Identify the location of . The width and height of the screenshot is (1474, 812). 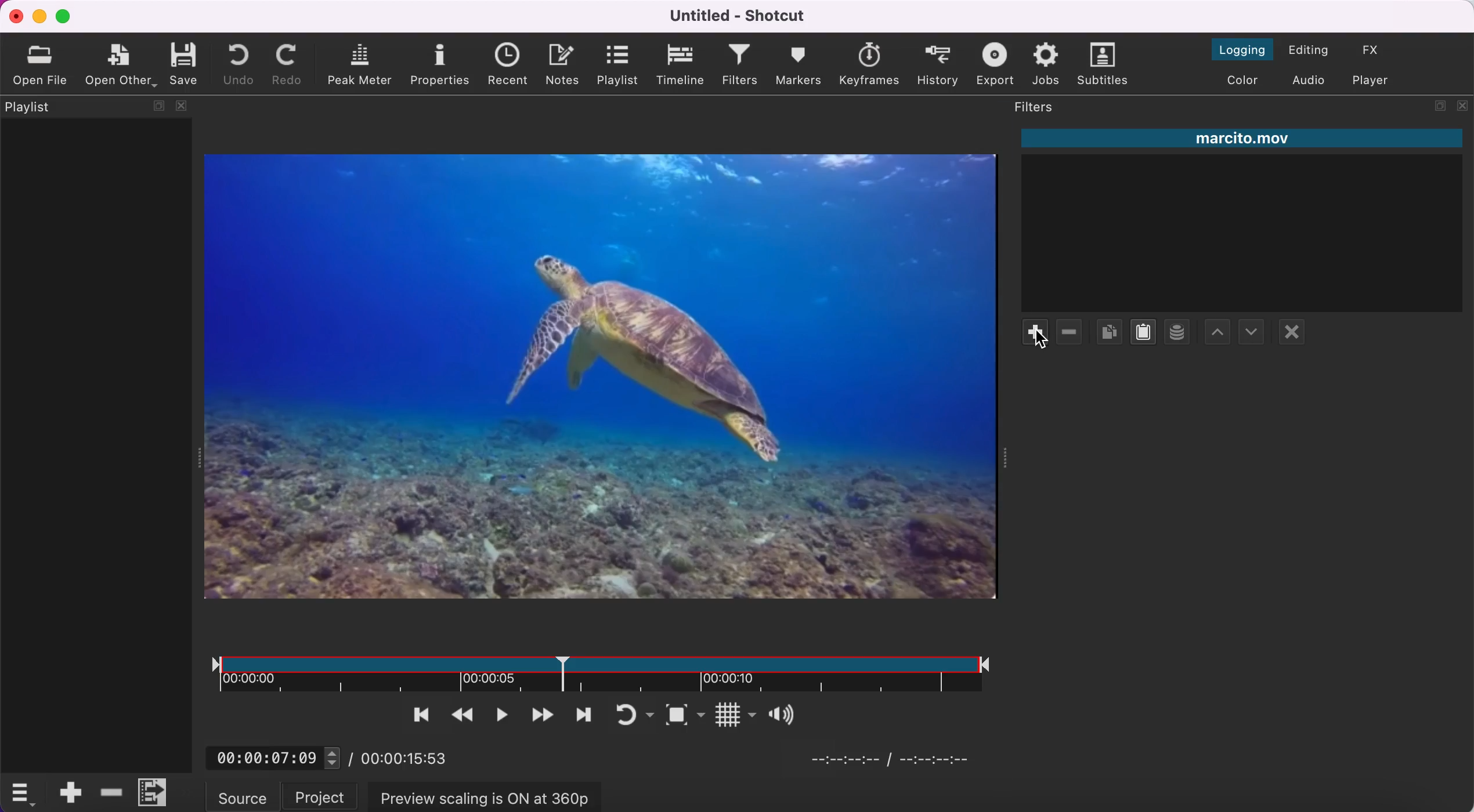
(782, 713).